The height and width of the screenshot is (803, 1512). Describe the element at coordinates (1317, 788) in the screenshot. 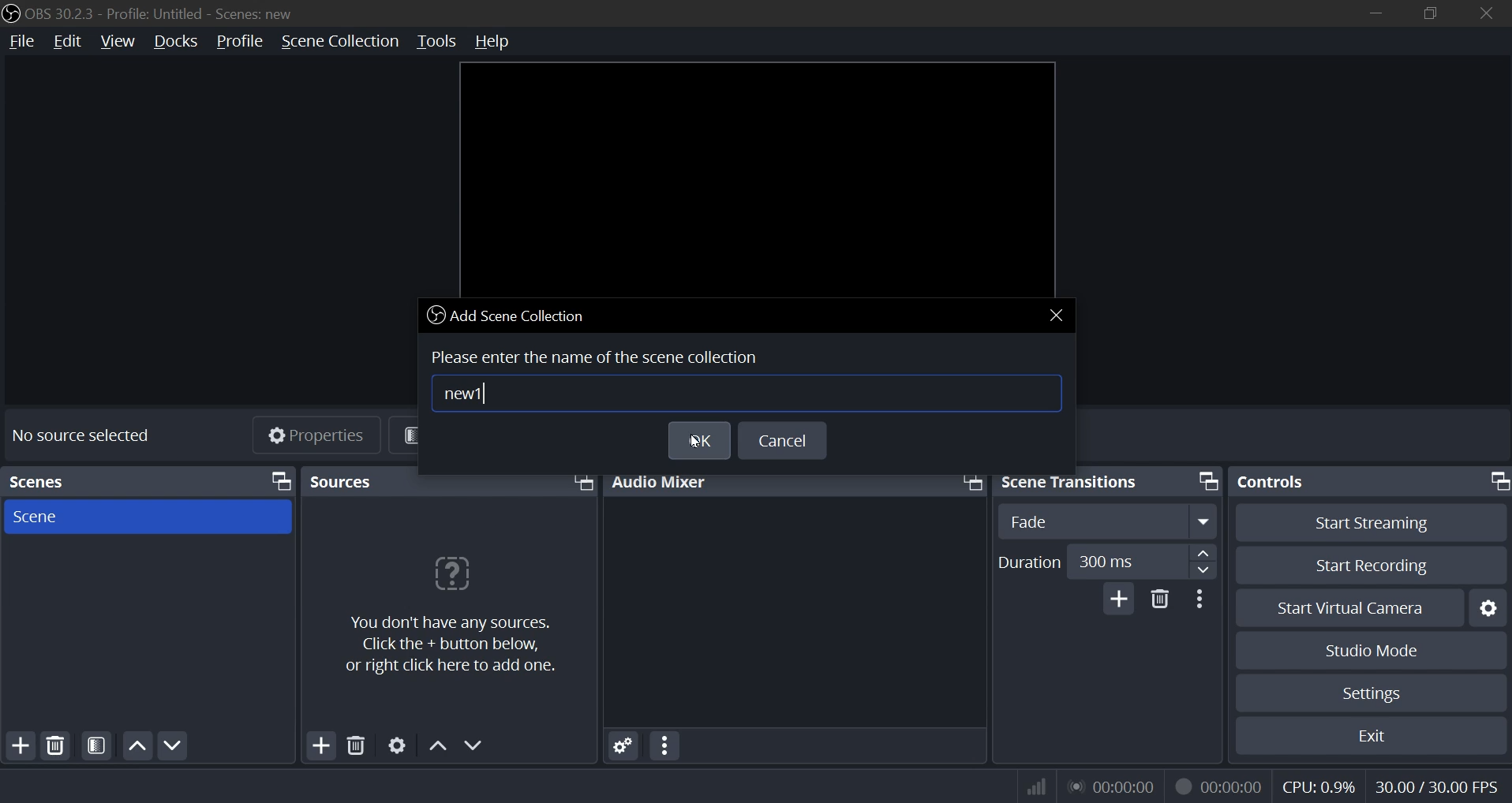

I see `cpu usage` at that location.